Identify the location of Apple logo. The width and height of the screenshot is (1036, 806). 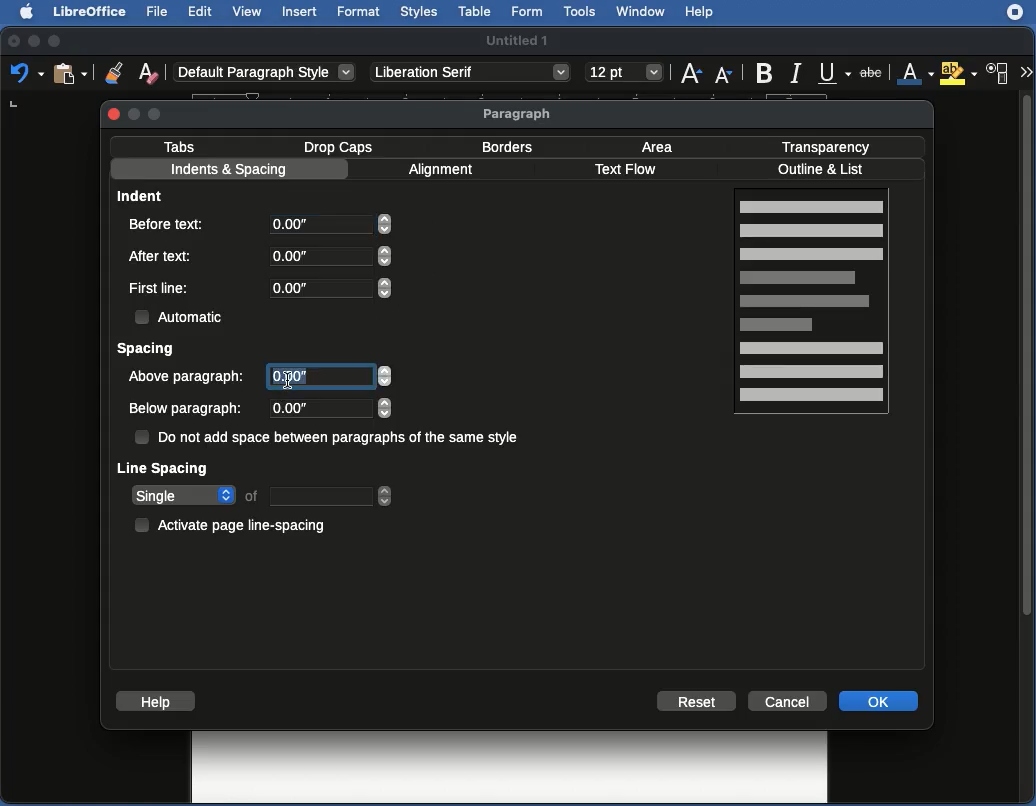
(21, 11).